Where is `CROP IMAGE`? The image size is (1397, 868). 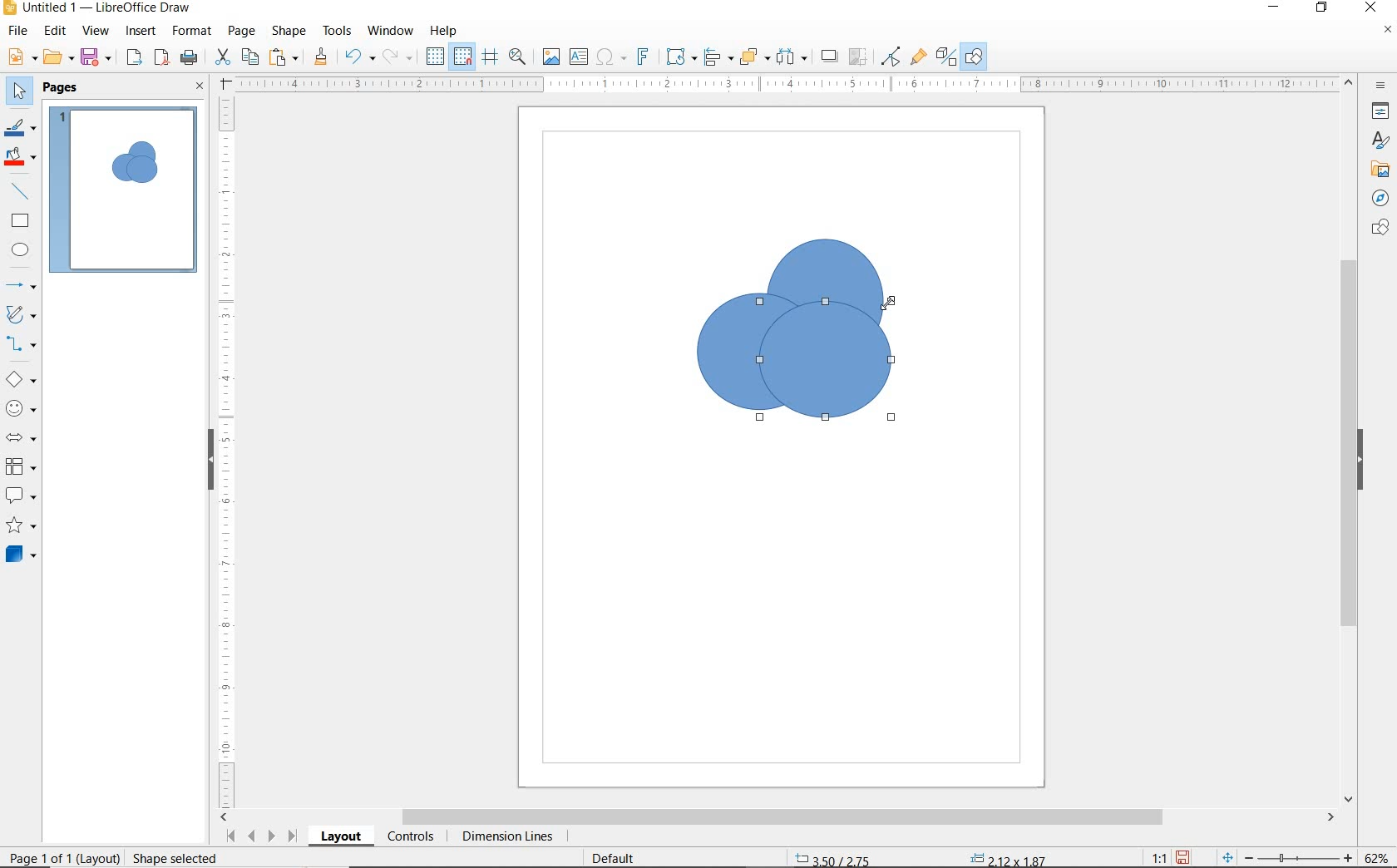 CROP IMAGE is located at coordinates (857, 57).